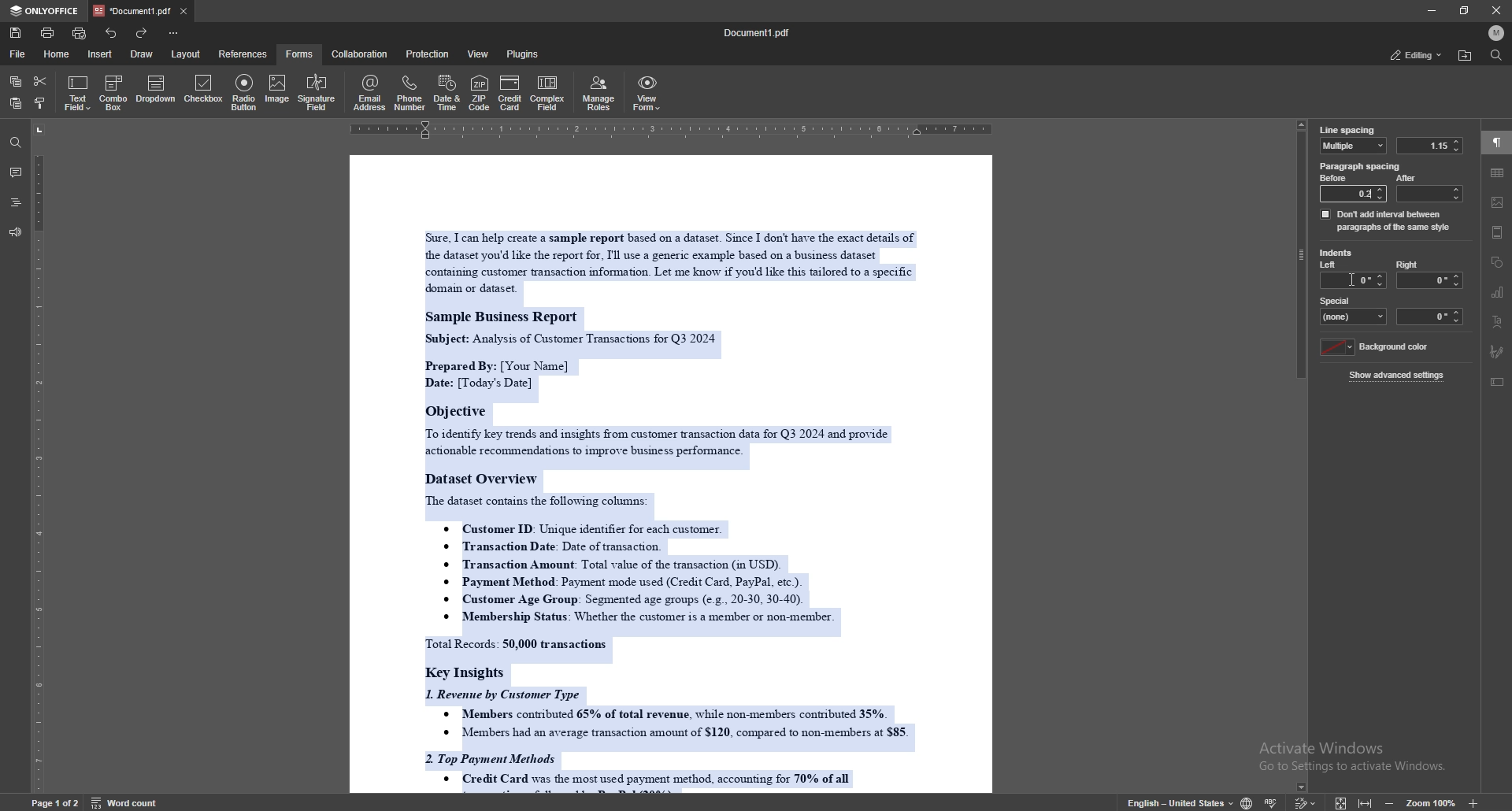 The height and width of the screenshot is (811, 1512). Describe the element at coordinates (1386, 220) in the screenshot. I see `dont add interval between paragraph of same style` at that location.